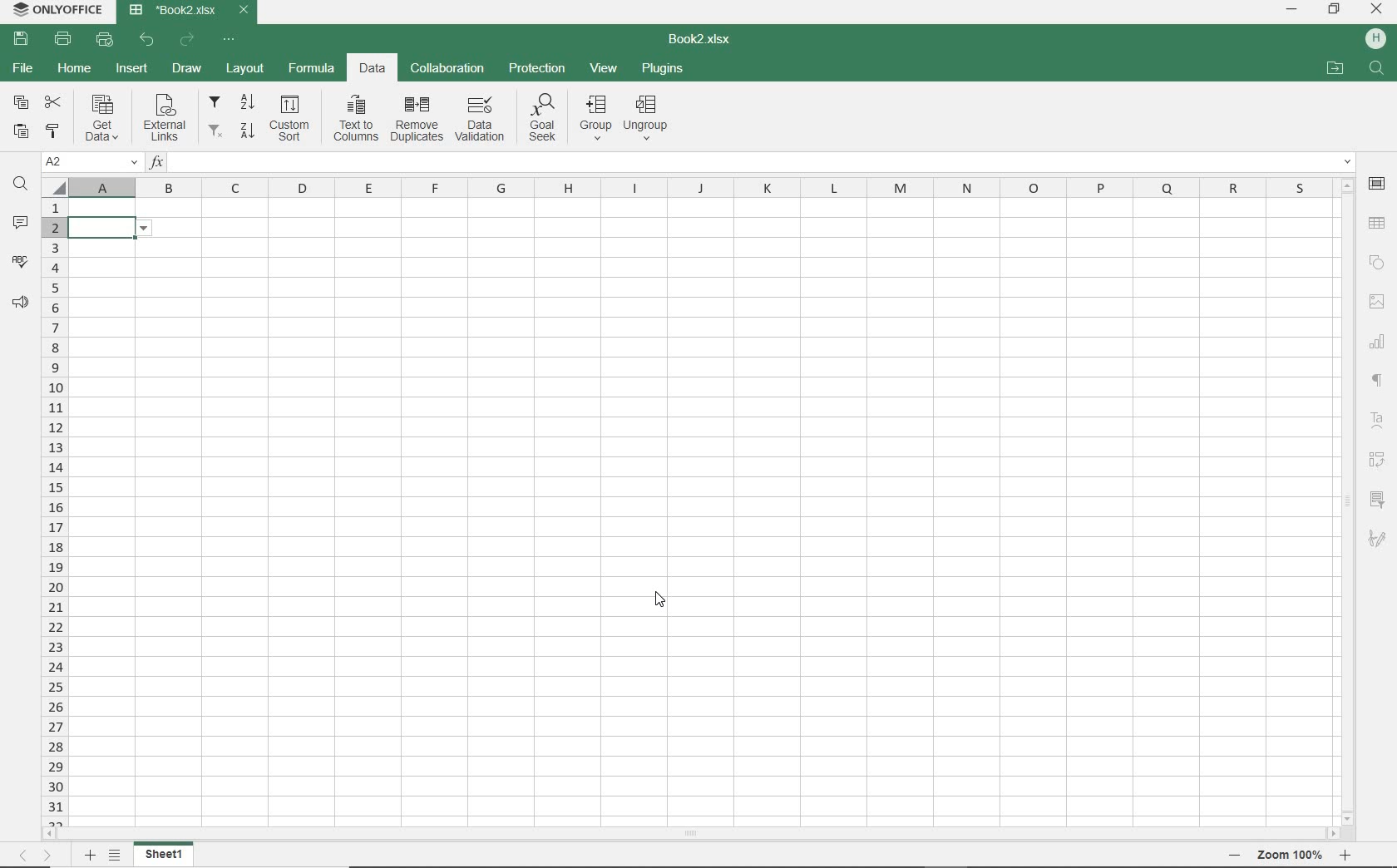 This screenshot has height=868, width=1397. What do you see at coordinates (544, 116) in the screenshot?
I see `goal seek` at bounding box center [544, 116].